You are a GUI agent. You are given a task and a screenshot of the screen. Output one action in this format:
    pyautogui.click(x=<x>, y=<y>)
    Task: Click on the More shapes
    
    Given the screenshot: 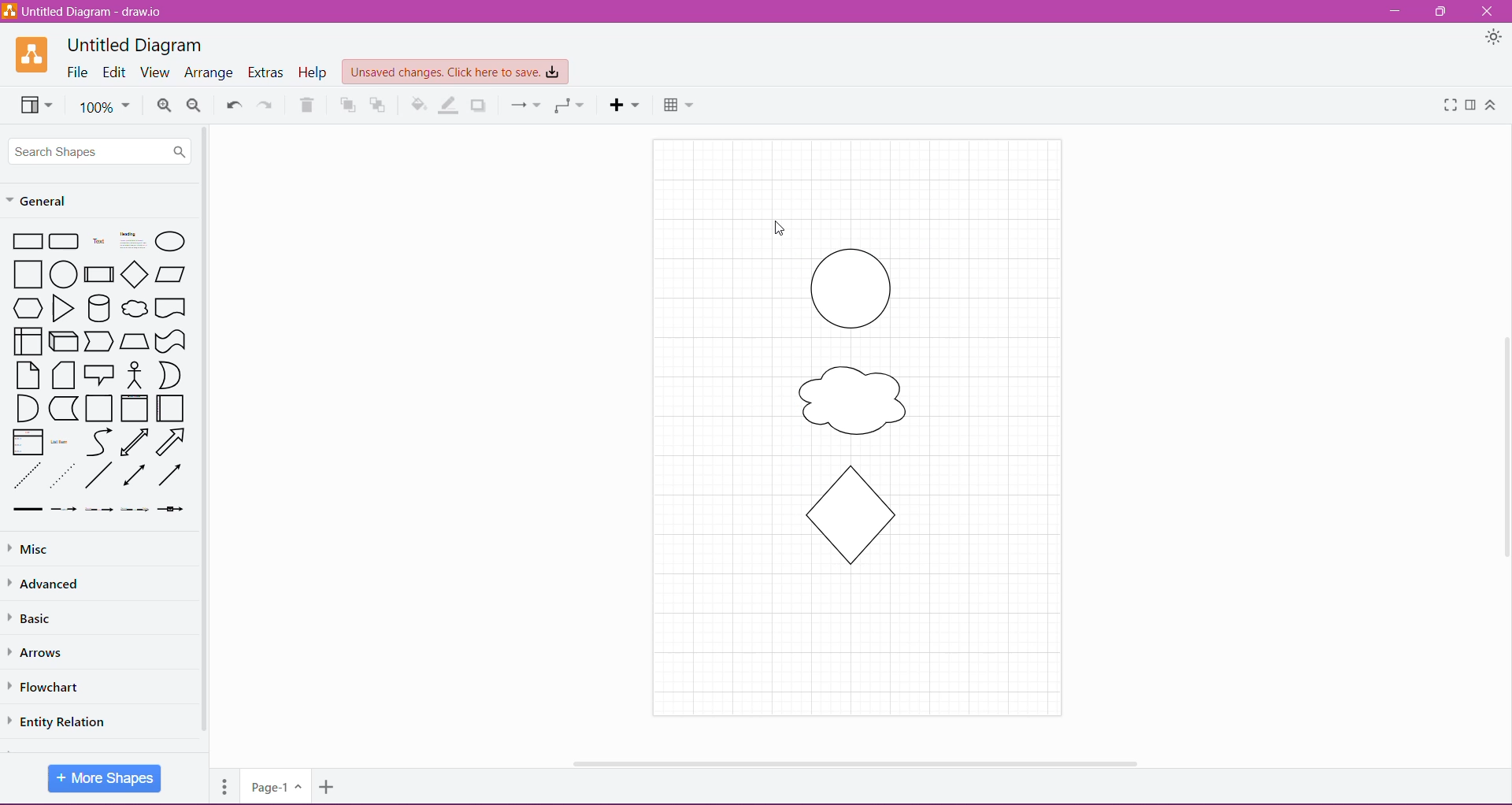 What is the action you would take?
    pyautogui.click(x=106, y=777)
    